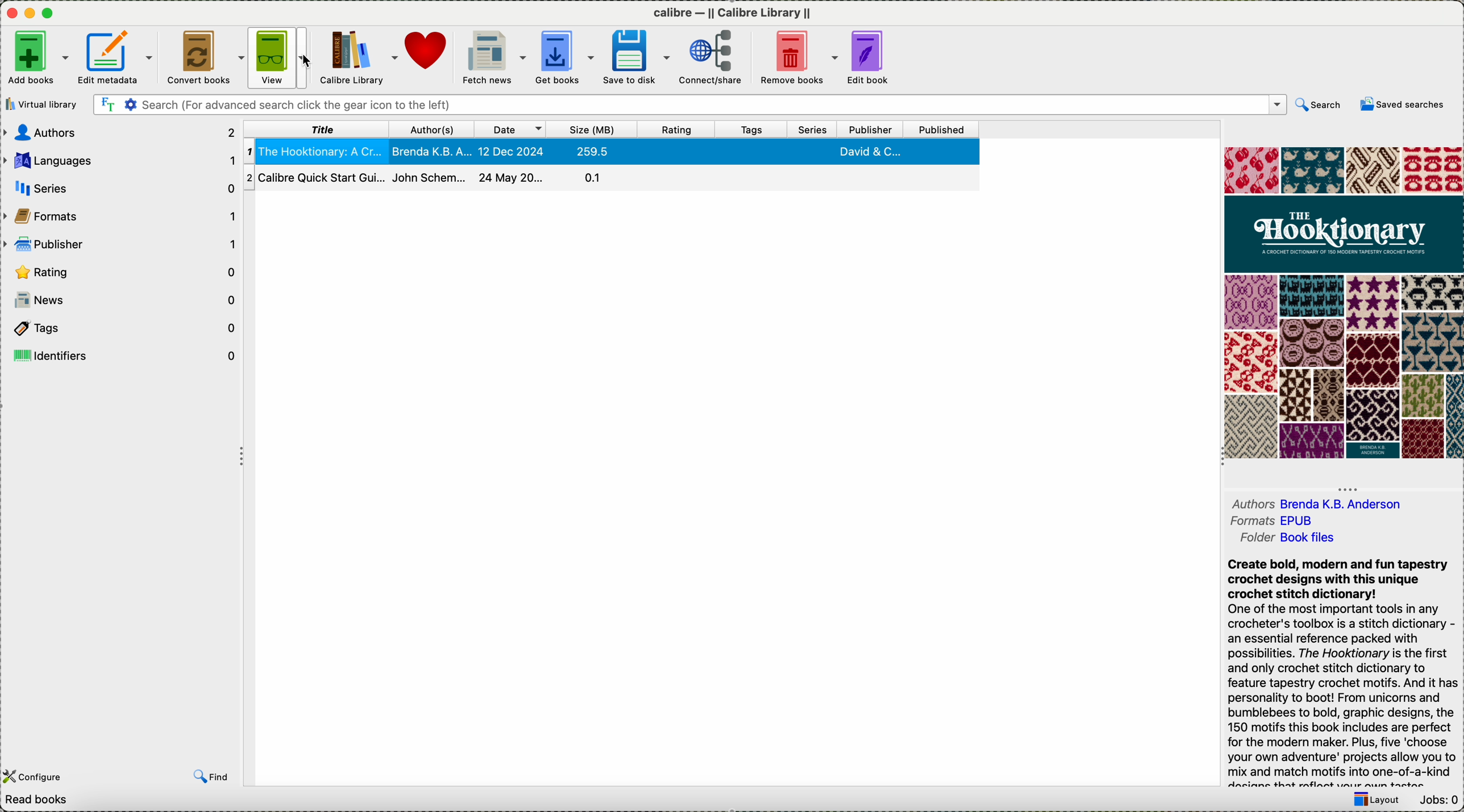 The image size is (1464, 812). Describe the element at coordinates (1286, 542) in the screenshot. I see `folder` at that location.